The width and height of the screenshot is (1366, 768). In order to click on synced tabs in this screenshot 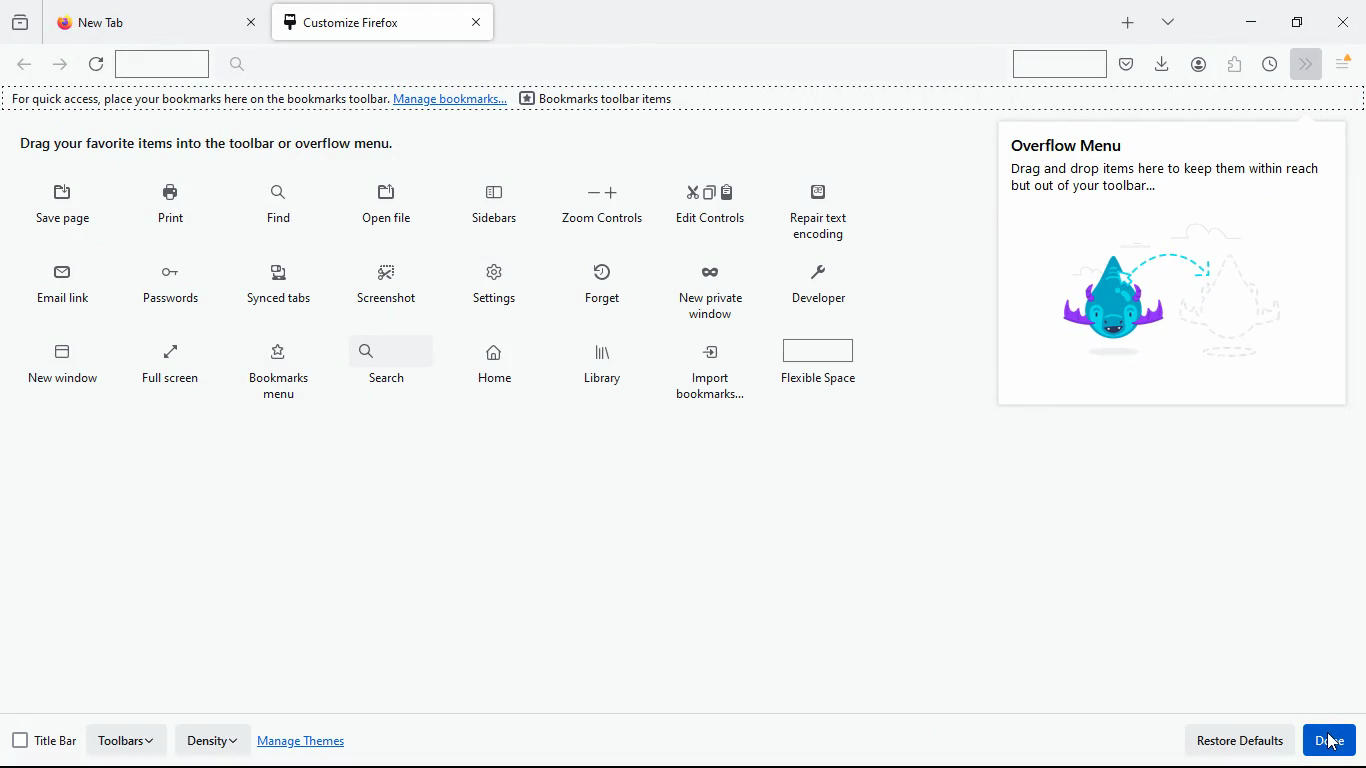, I will do `click(391, 289)`.